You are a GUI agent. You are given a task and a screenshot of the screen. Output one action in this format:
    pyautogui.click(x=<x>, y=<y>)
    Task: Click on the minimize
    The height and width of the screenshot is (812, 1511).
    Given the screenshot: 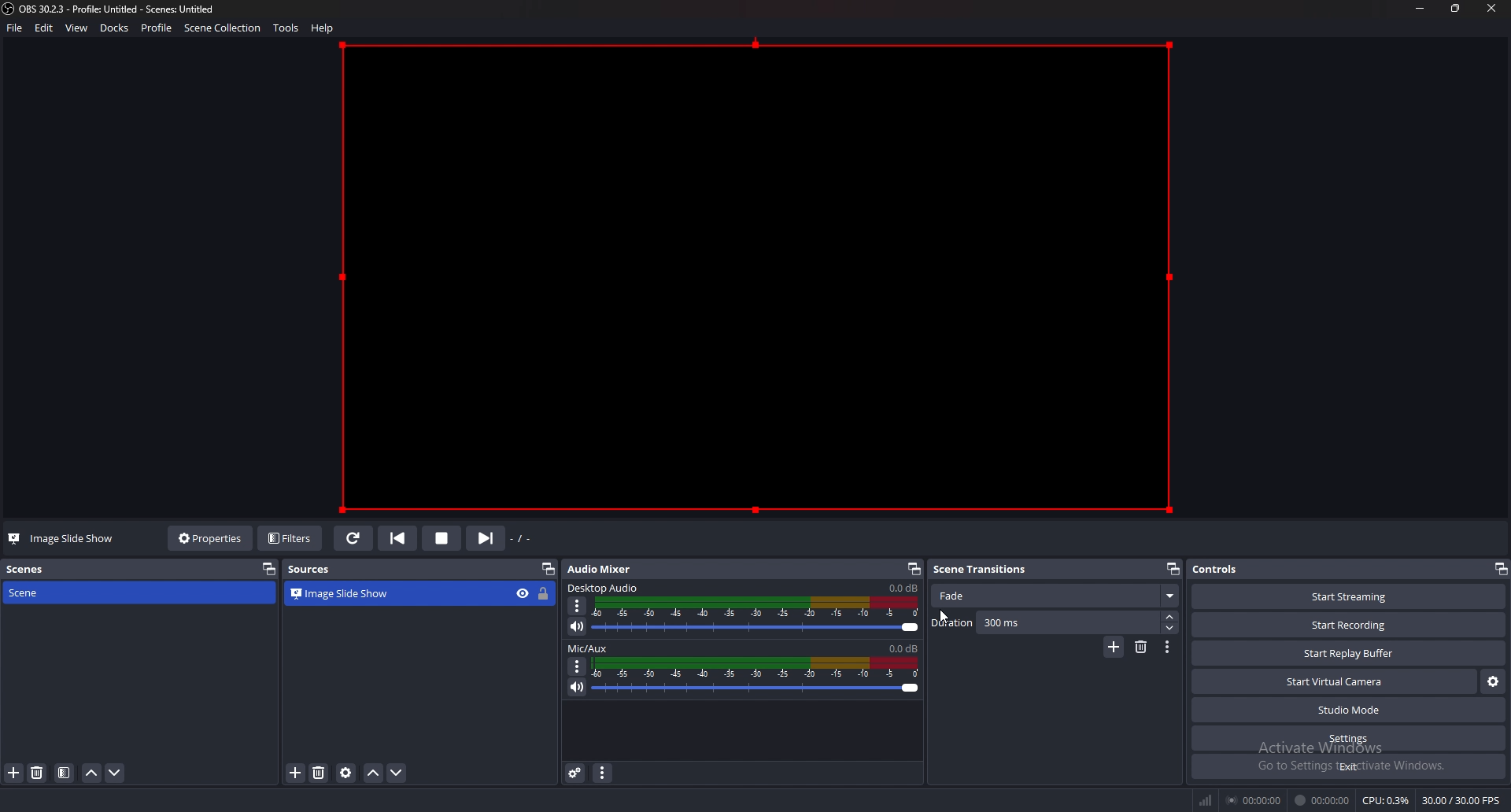 What is the action you would take?
    pyautogui.click(x=1421, y=9)
    